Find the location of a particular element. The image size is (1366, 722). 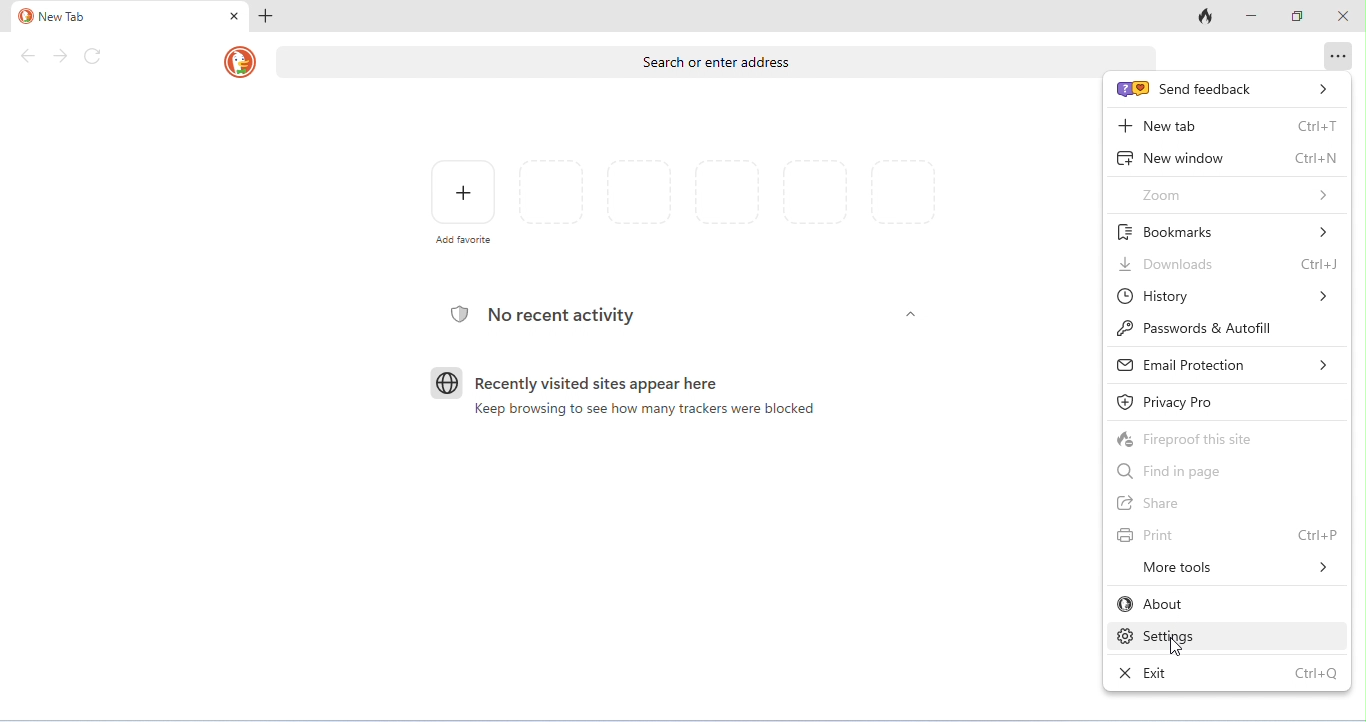

no recently activity is located at coordinates (545, 317).